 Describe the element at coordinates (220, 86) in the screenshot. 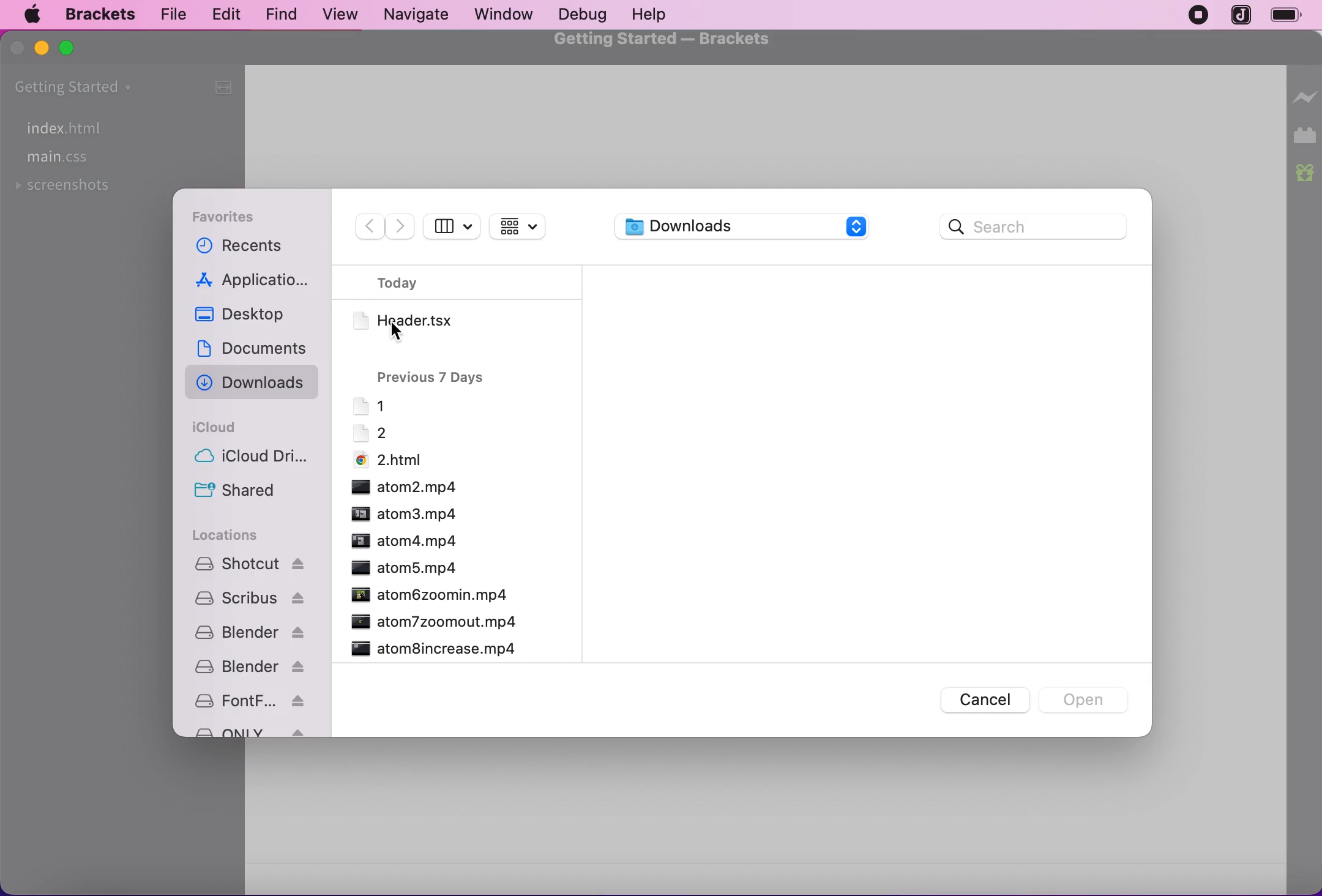

I see `split the editor vertically or horizontally` at that location.